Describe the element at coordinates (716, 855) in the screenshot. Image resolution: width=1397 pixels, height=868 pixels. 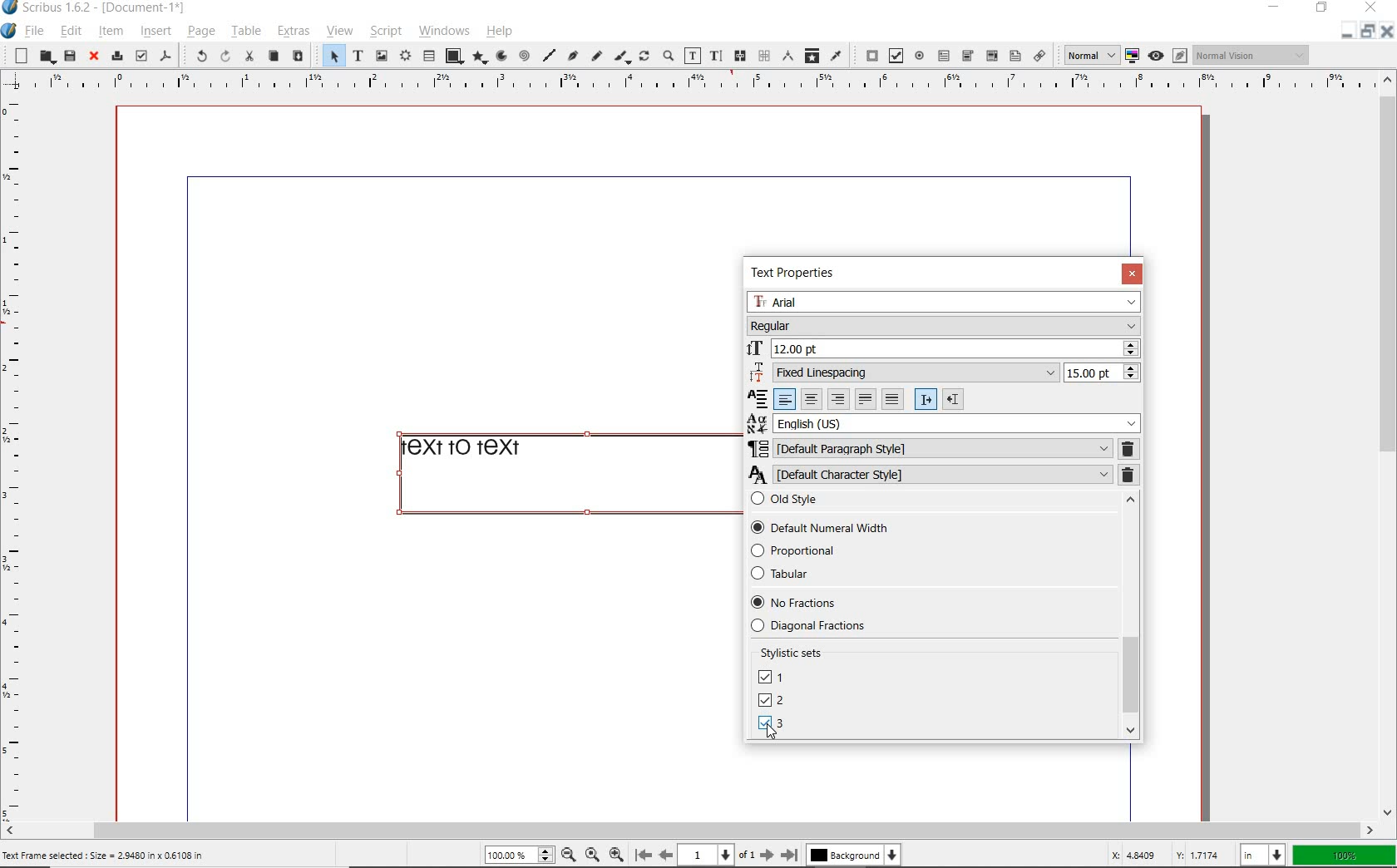
I see `1 of 1` at that location.